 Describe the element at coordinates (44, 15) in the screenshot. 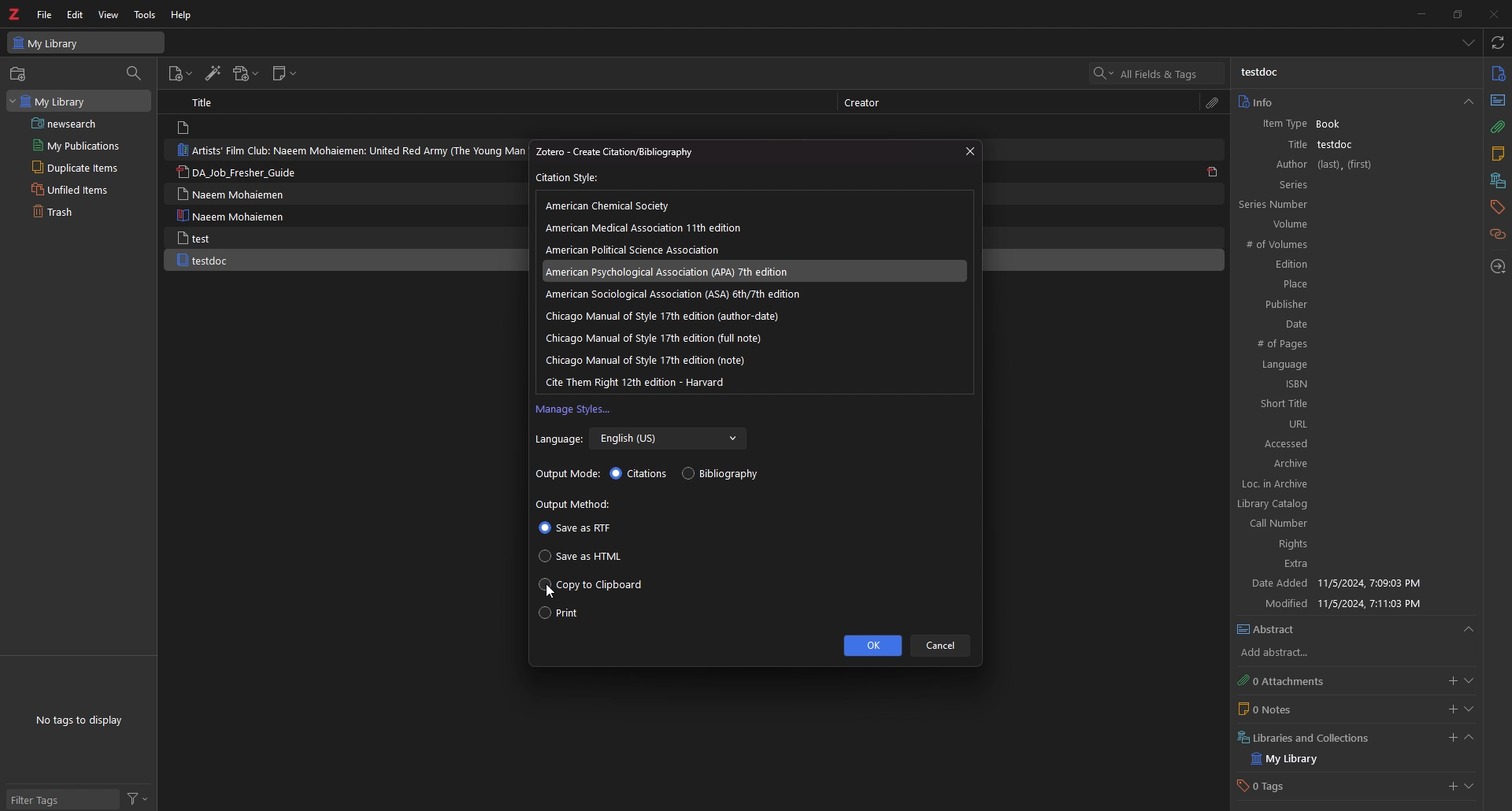

I see `file` at that location.